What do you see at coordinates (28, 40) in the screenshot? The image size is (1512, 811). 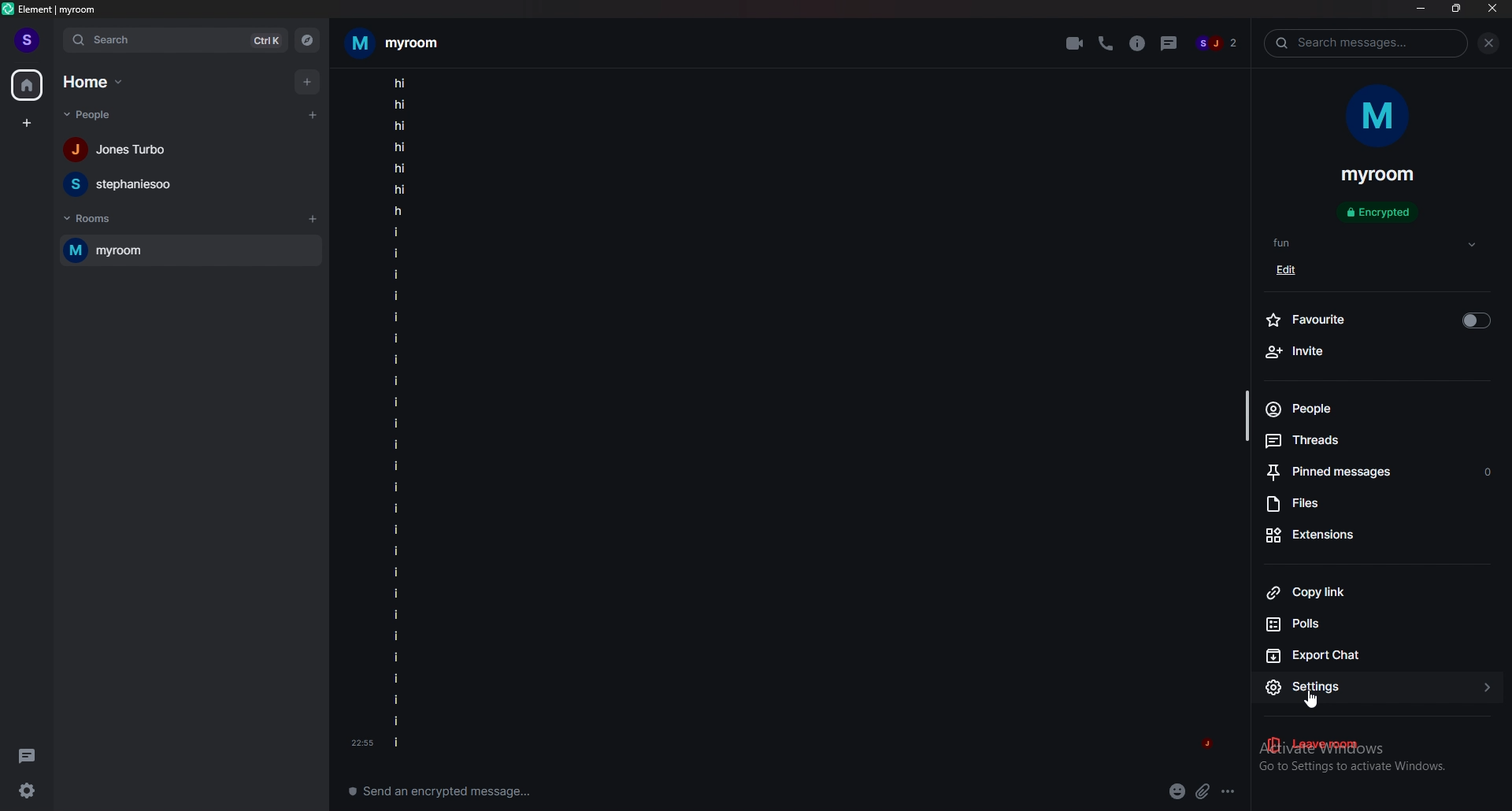 I see `profile` at bounding box center [28, 40].